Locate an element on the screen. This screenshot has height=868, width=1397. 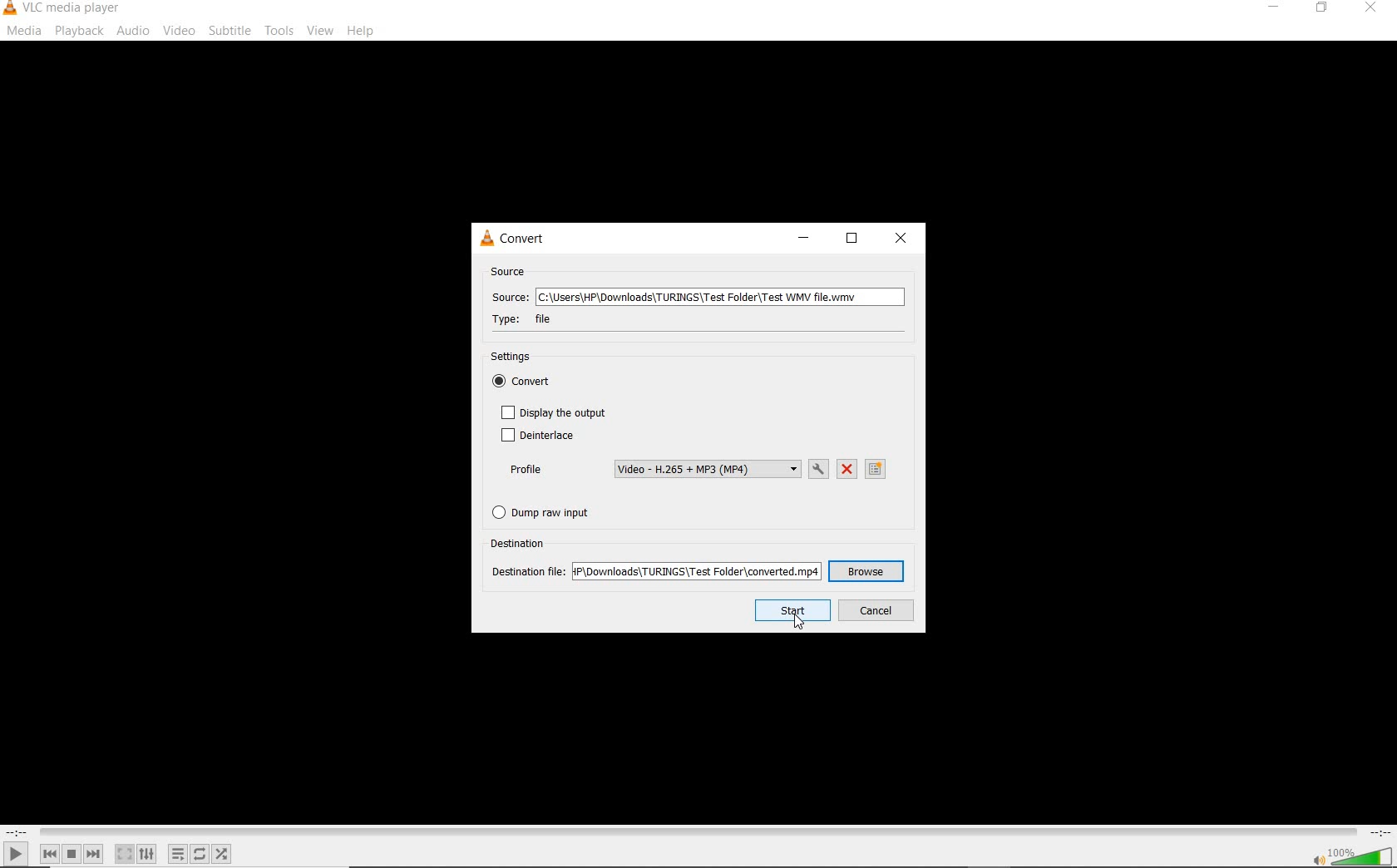
EDIT SELECTED PROFILE is located at coordinates (818, 469).